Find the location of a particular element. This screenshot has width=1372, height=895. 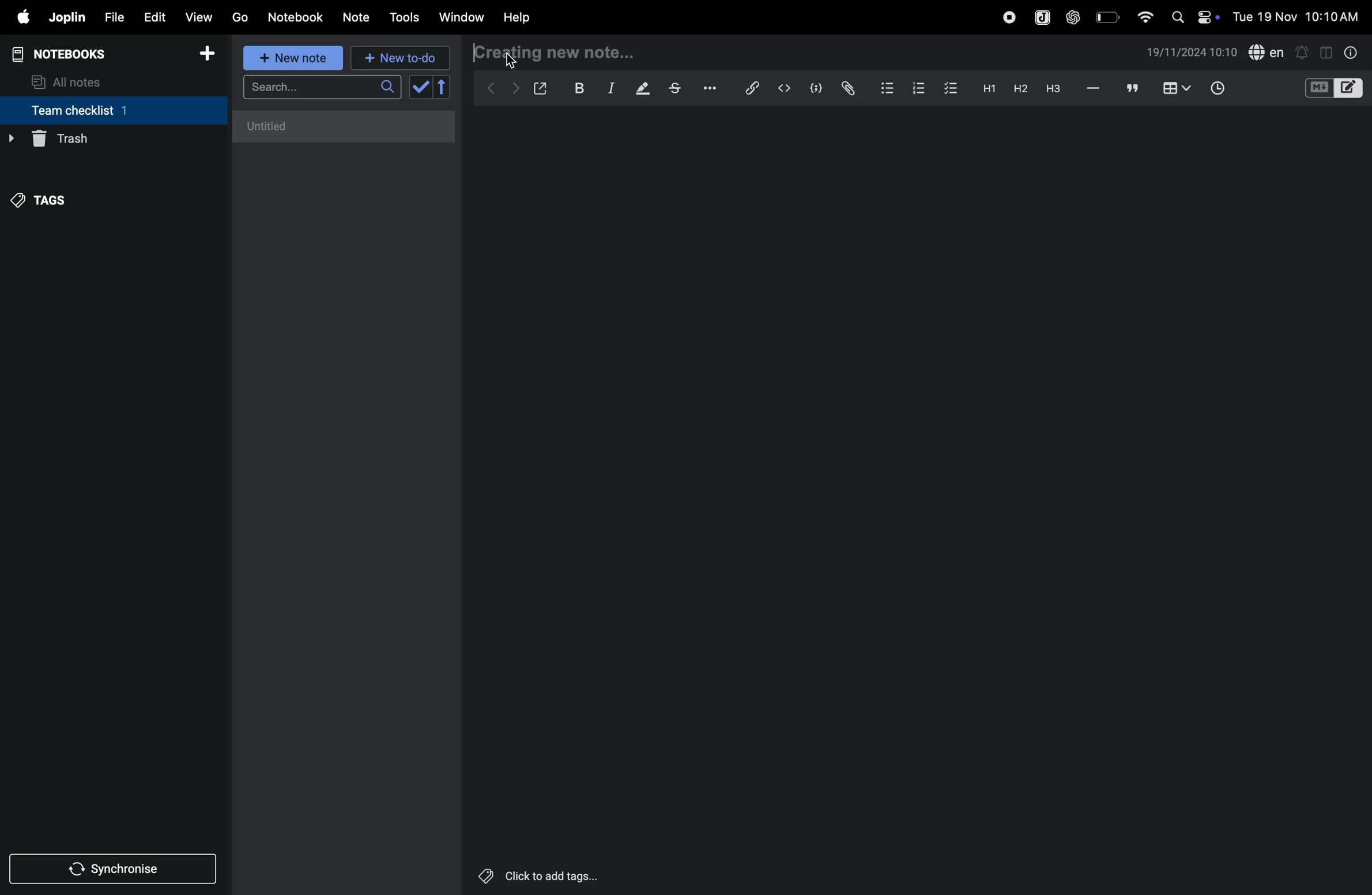

inline code is located at coordinates (784, 88).